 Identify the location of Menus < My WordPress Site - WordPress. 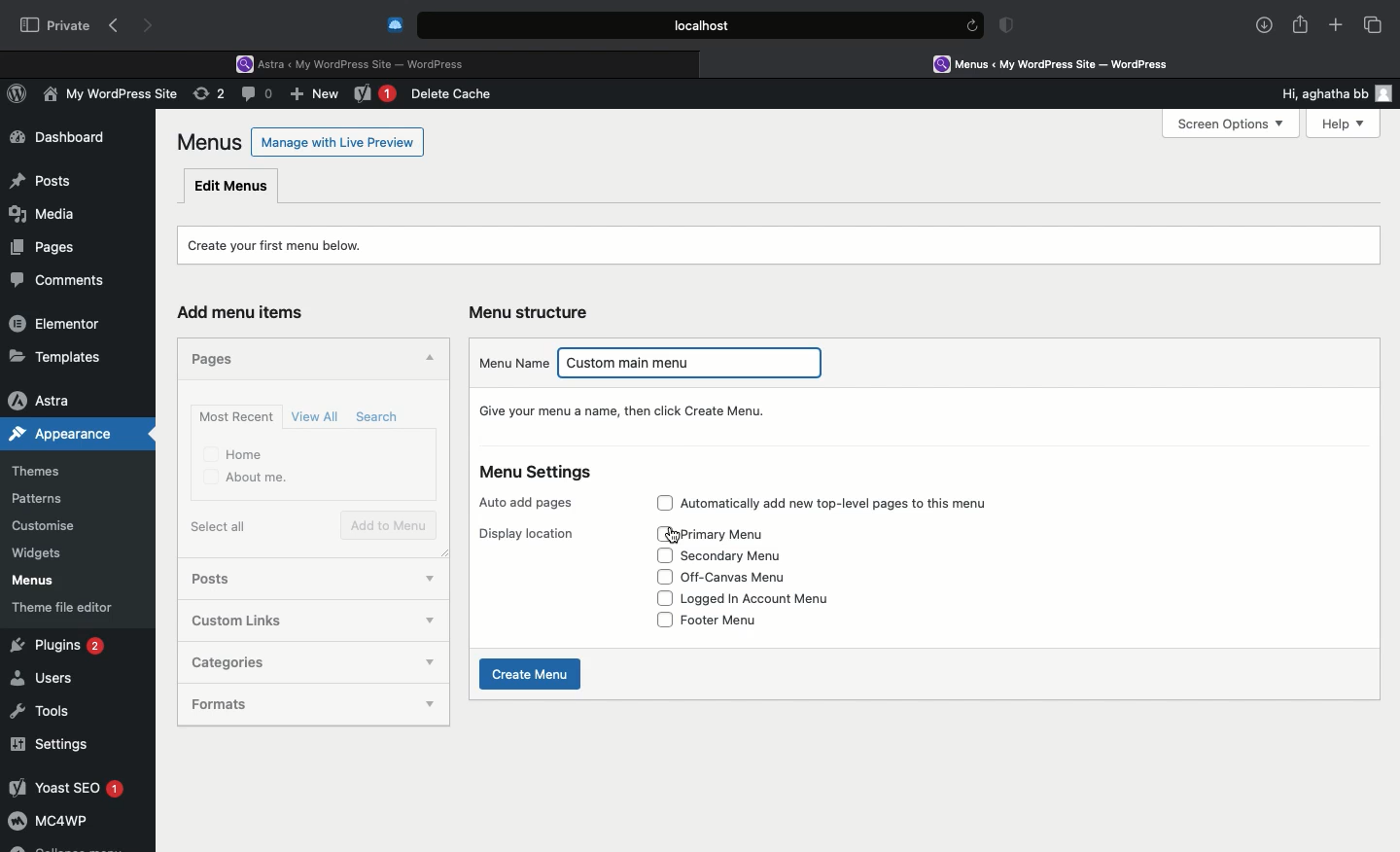
(1066, 63).